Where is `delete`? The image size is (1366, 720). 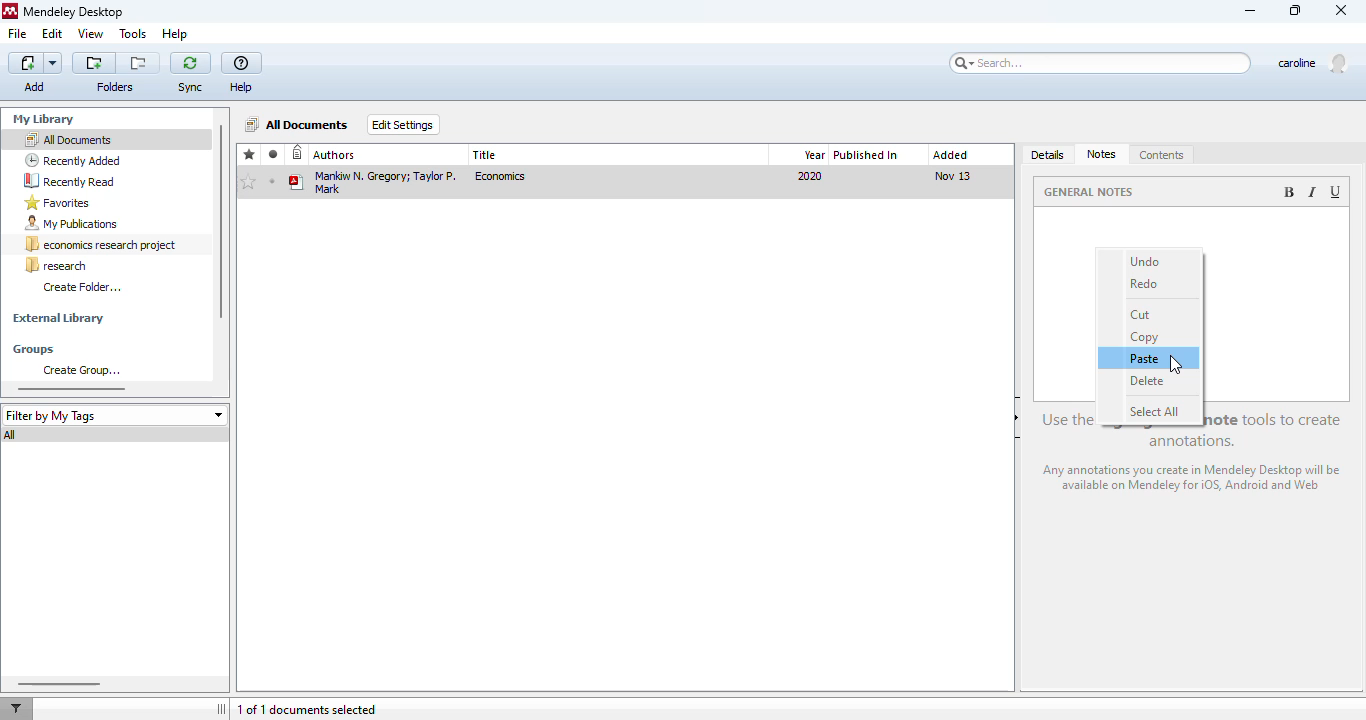
delete is located at coordinates (1147, 381).